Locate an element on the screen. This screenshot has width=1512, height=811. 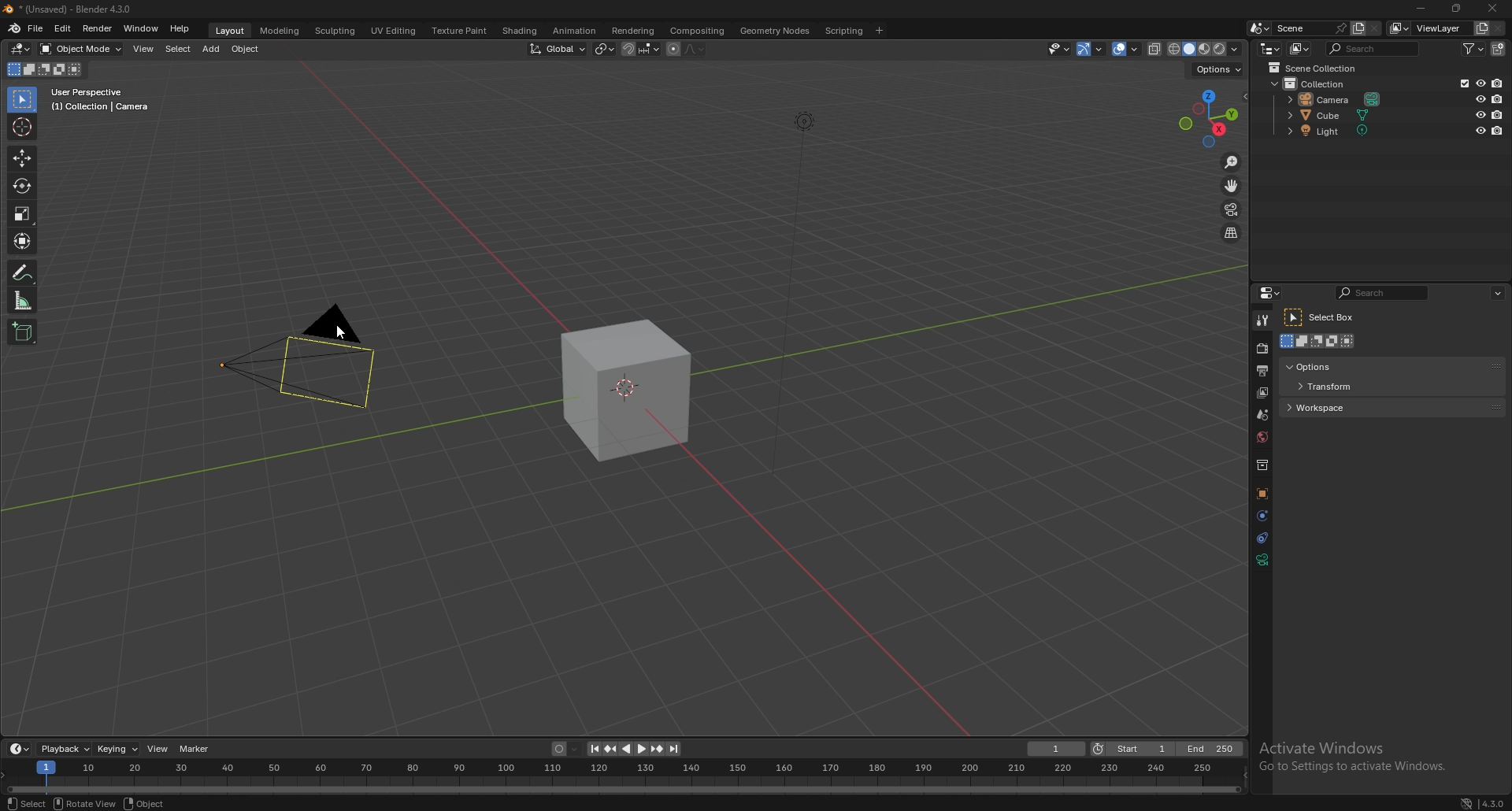
transform is located at coordinates (1332, 387).